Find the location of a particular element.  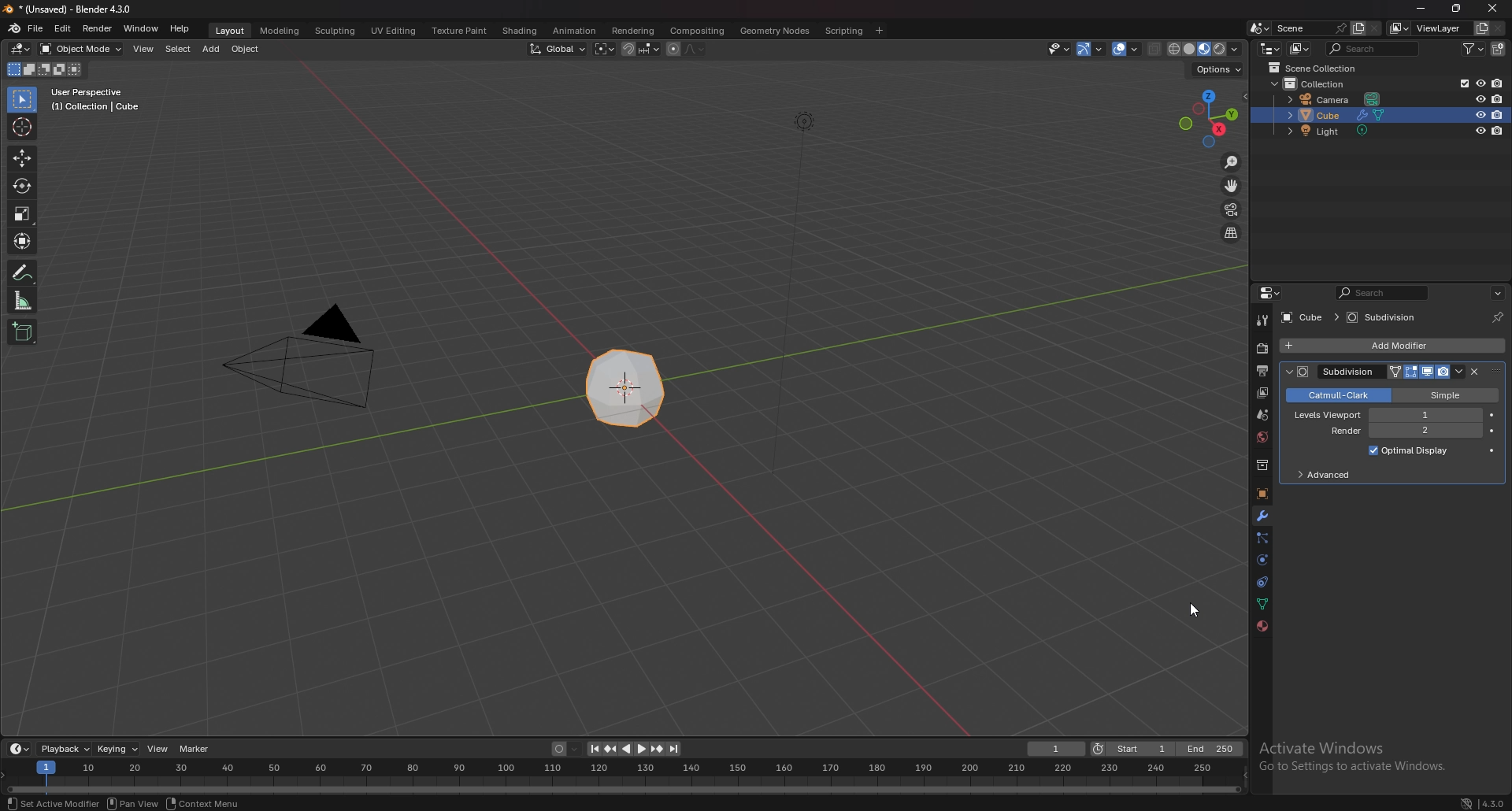

modes is located at coordinates (44, 69).